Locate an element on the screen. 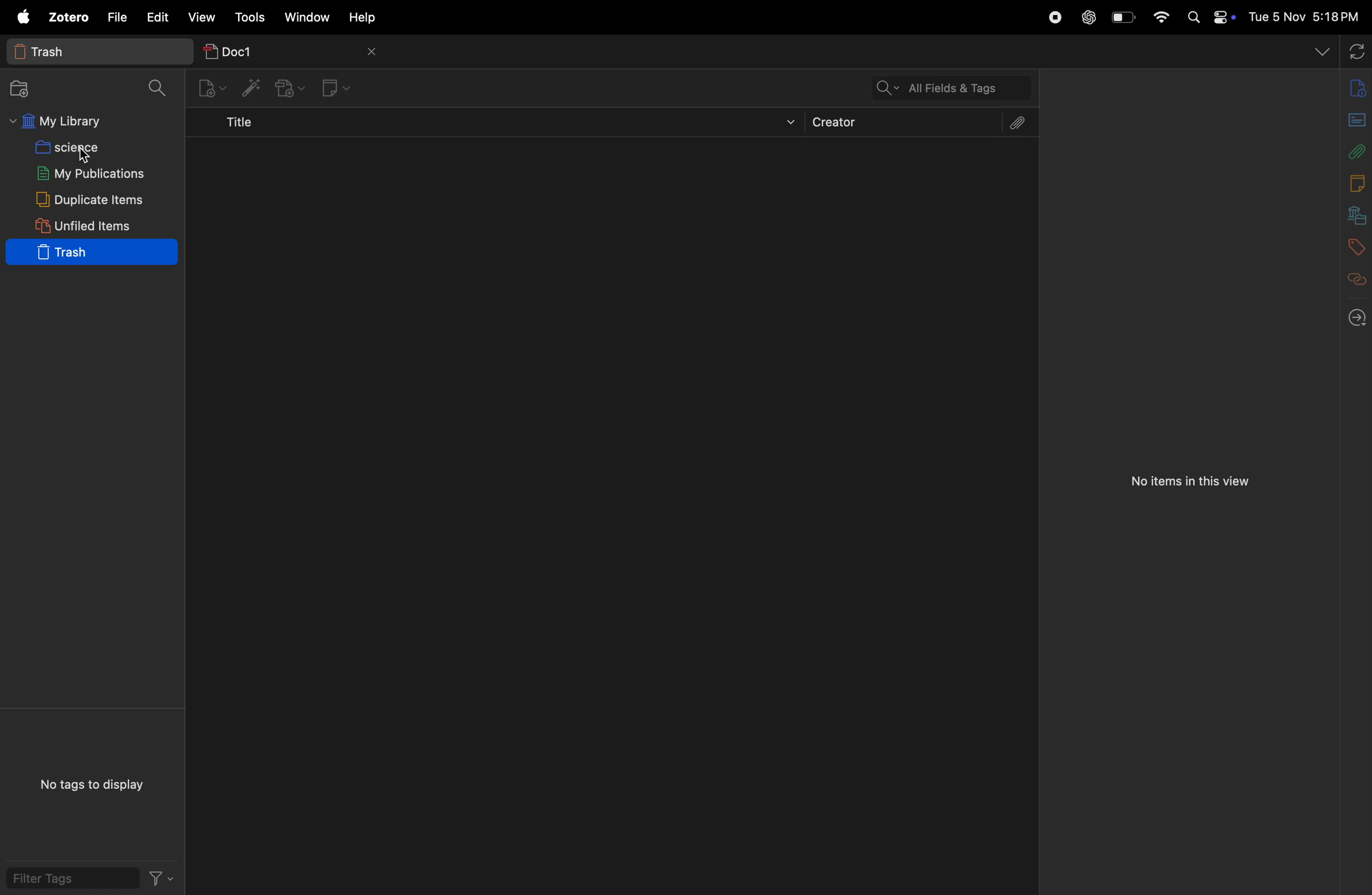  wifi is located at coordinates (1162, 17).